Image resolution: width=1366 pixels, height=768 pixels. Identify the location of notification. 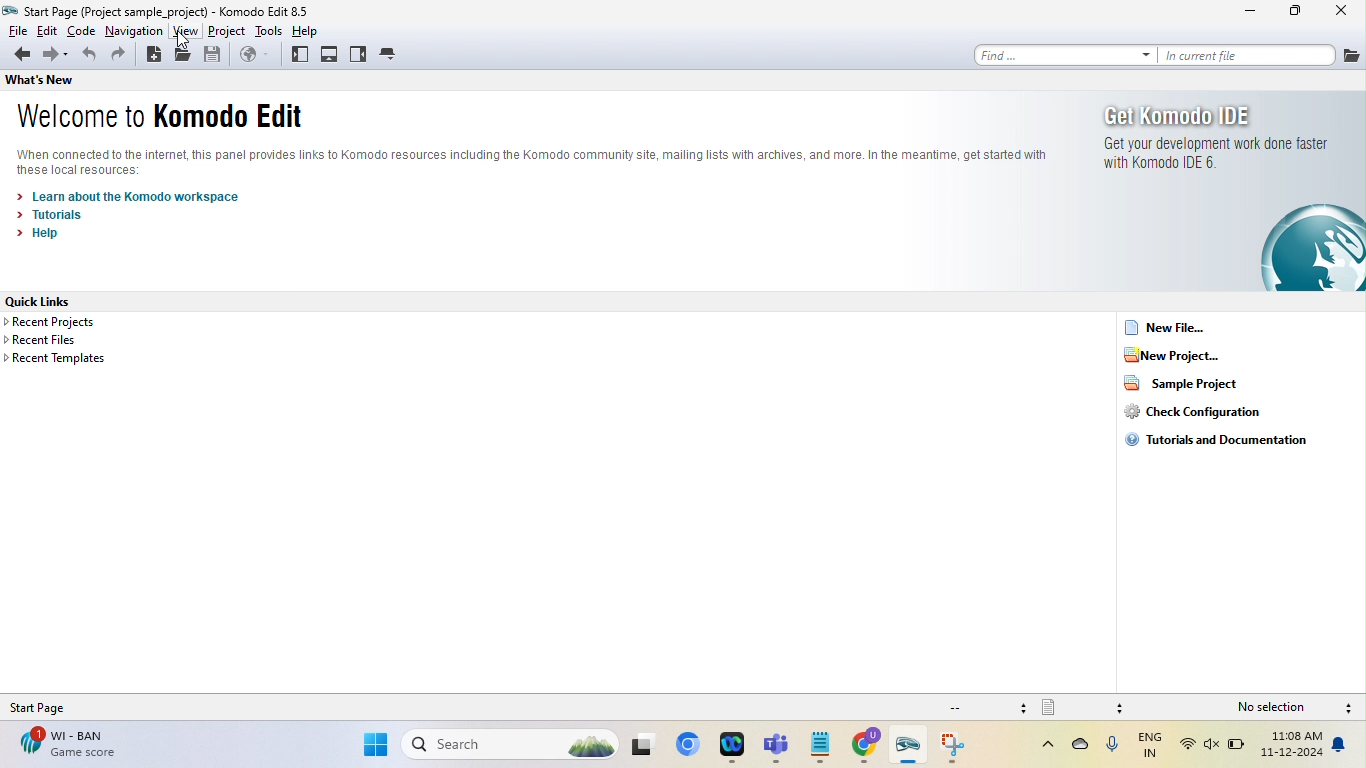
(1343, 746).